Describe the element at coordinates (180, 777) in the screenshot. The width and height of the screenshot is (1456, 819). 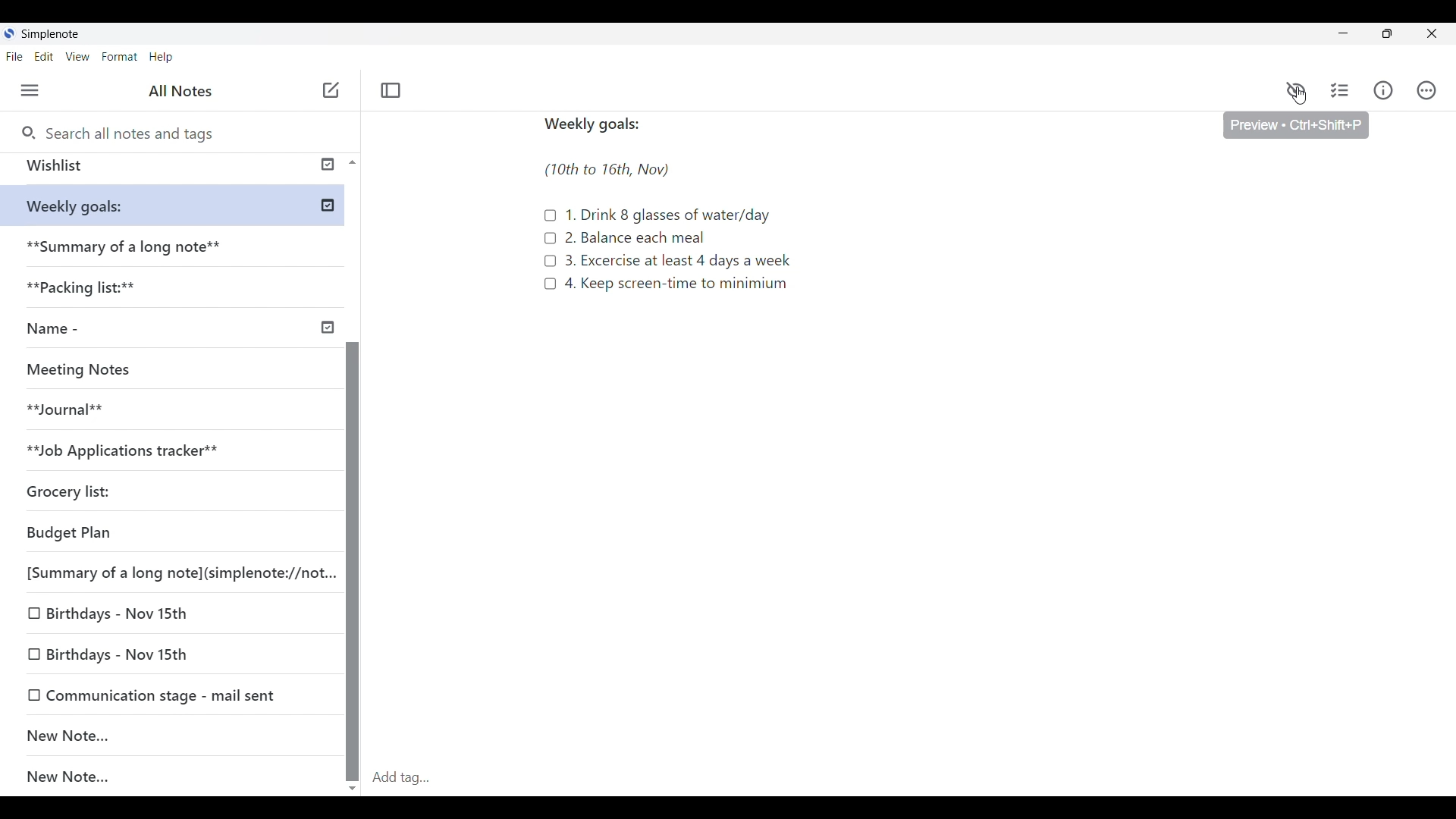
I see `New note...` at that location.